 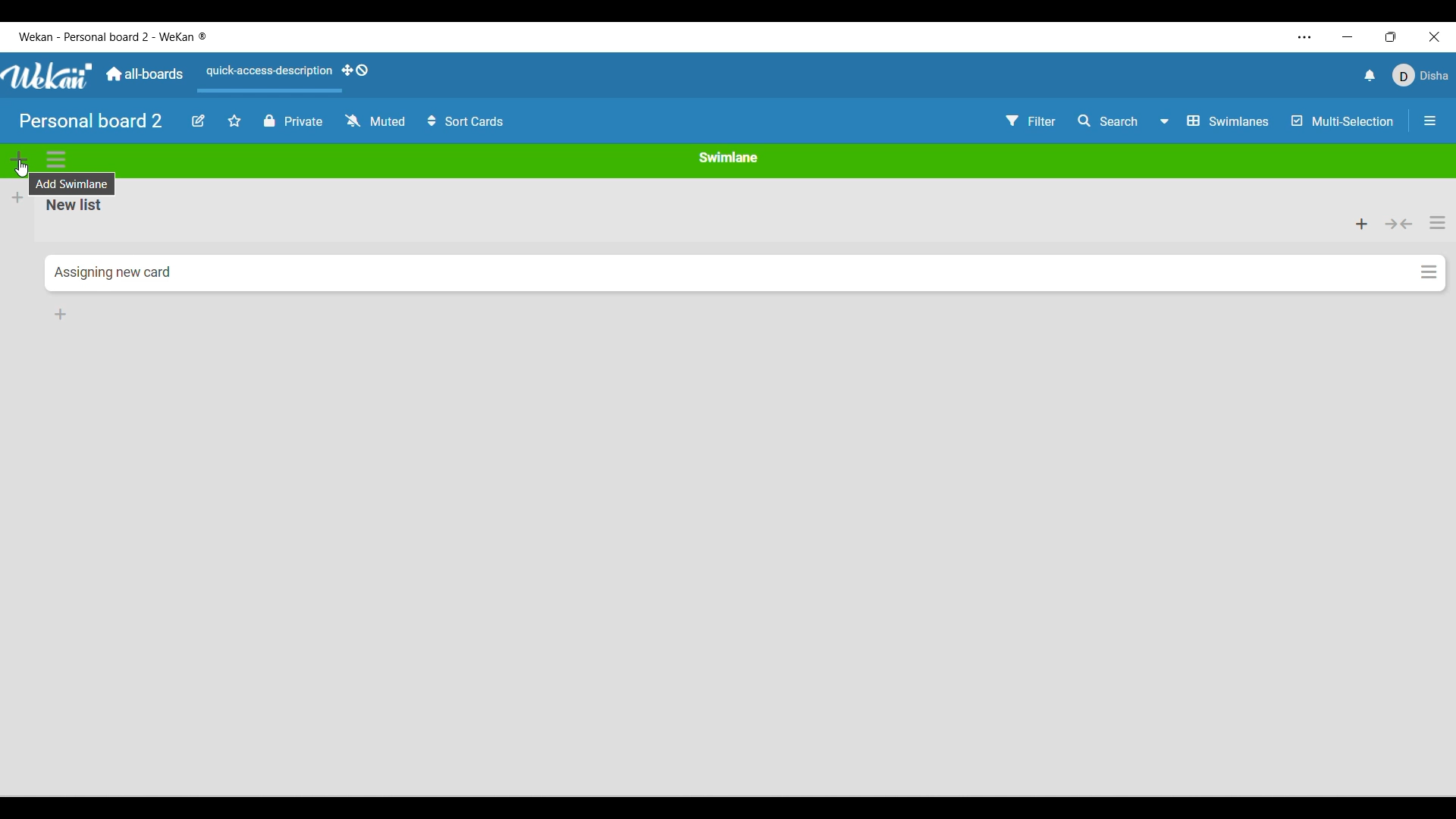 I want to click on Toggle for multi-selection, so click(x=1344, y=121).